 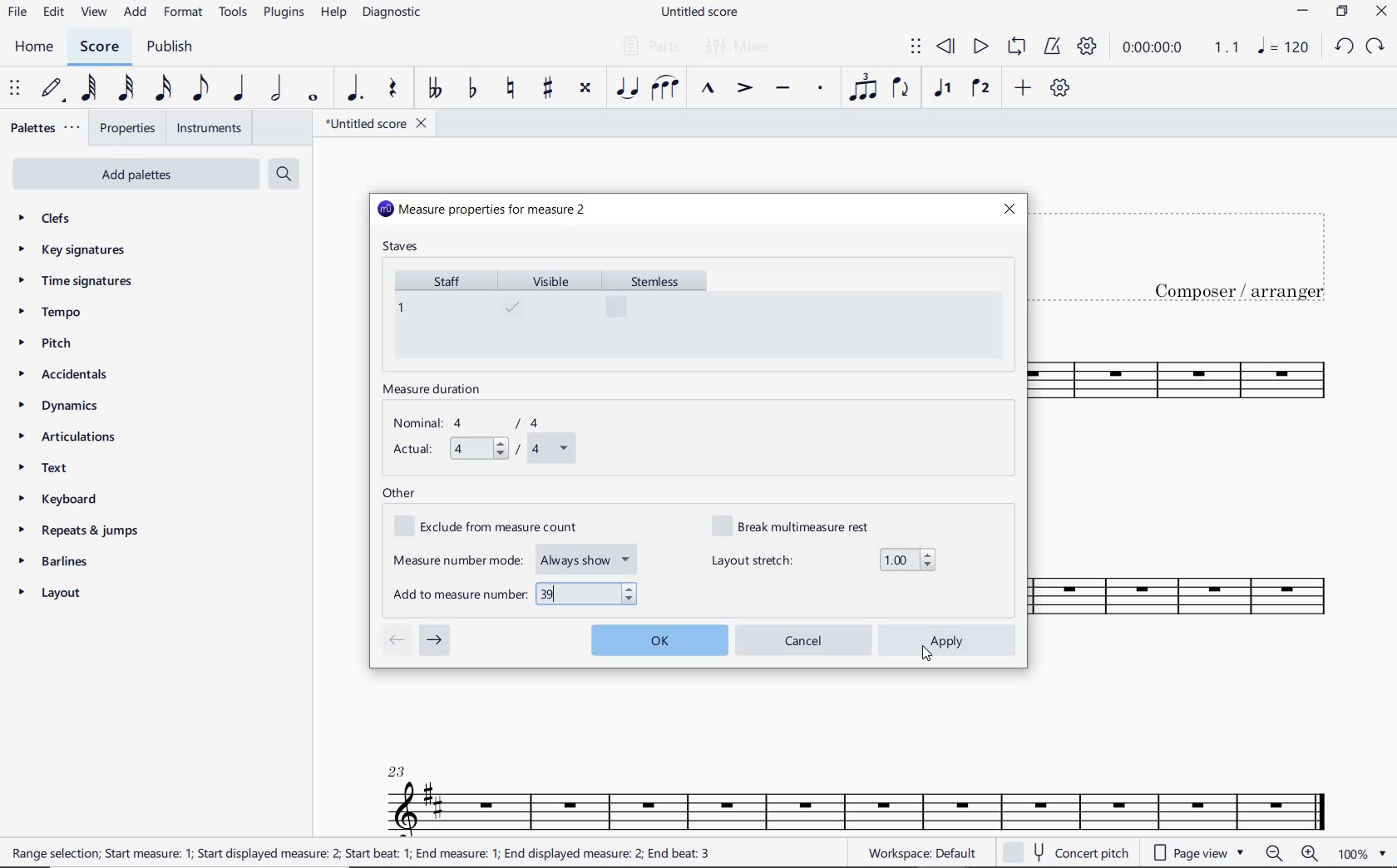 I want to click on measure properties for measure 2, so click(x=483, y=210).